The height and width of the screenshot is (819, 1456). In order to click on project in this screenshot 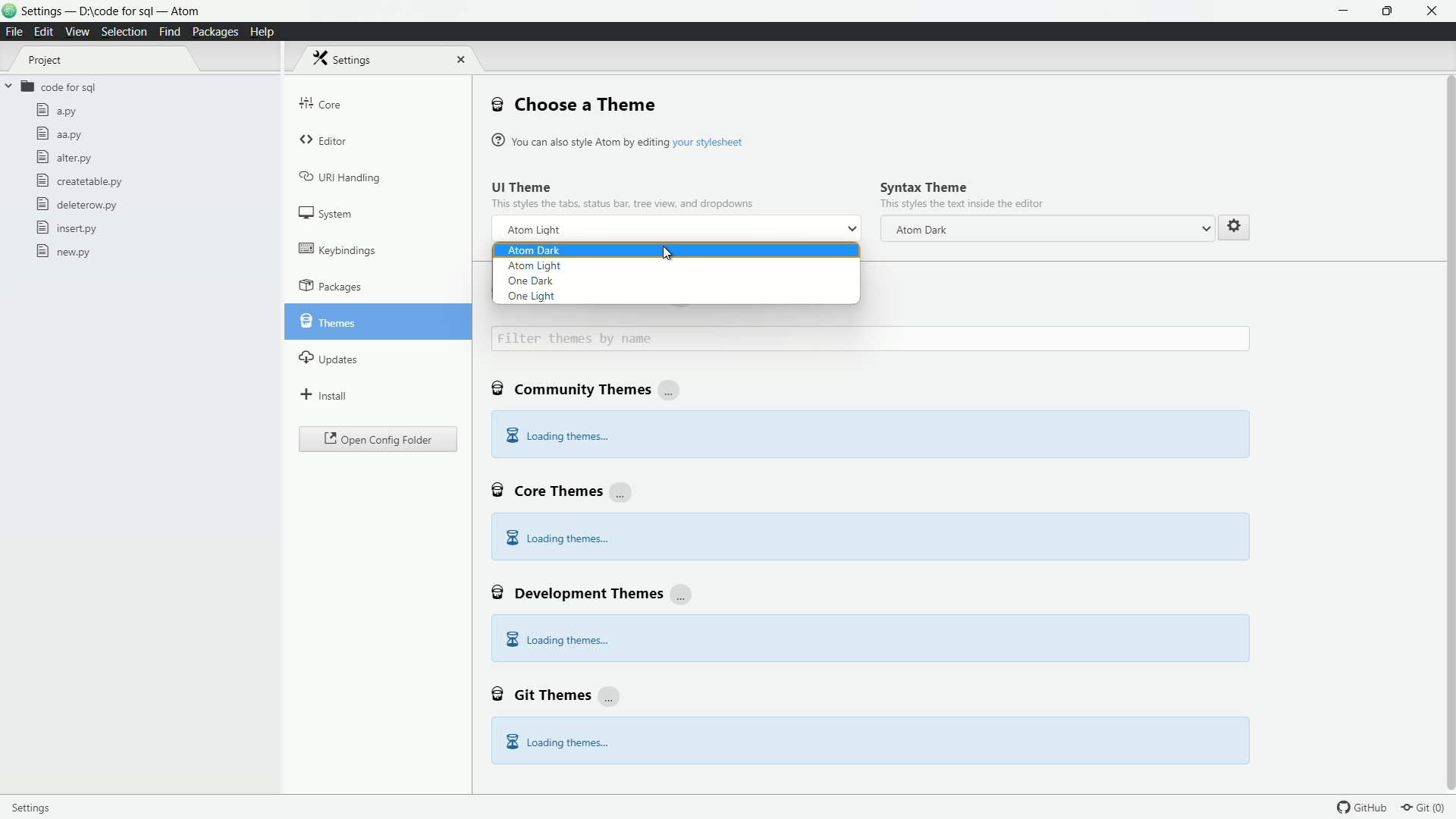, I will do `click(45, 61)`.